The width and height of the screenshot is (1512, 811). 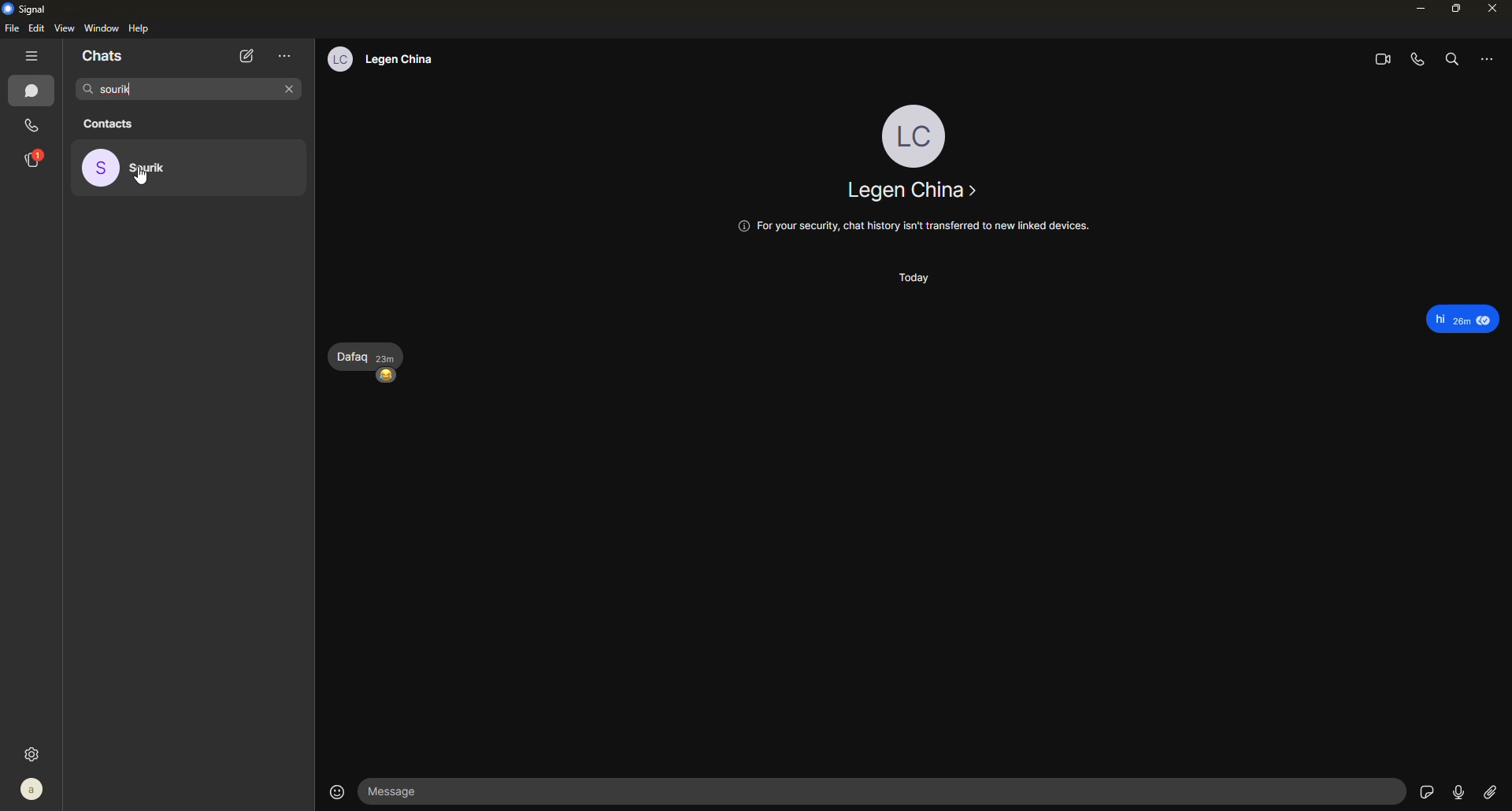 What do you see at coordinates (365, 354) in the screenshot?
I see `dafaq 23m` at bounding box center [365, 354].